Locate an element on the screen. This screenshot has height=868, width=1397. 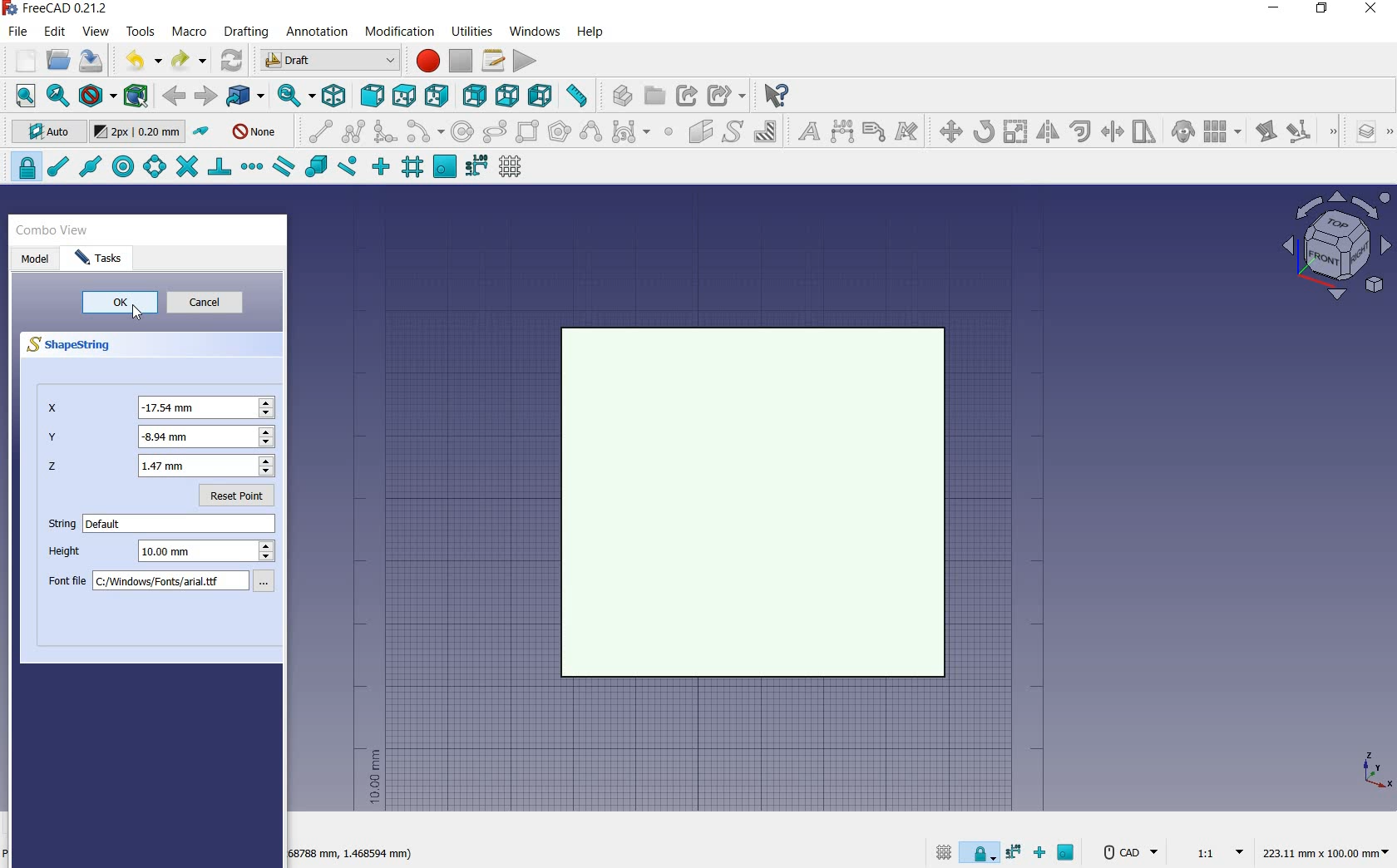
snap parallel is located at coordinates (283, 167).